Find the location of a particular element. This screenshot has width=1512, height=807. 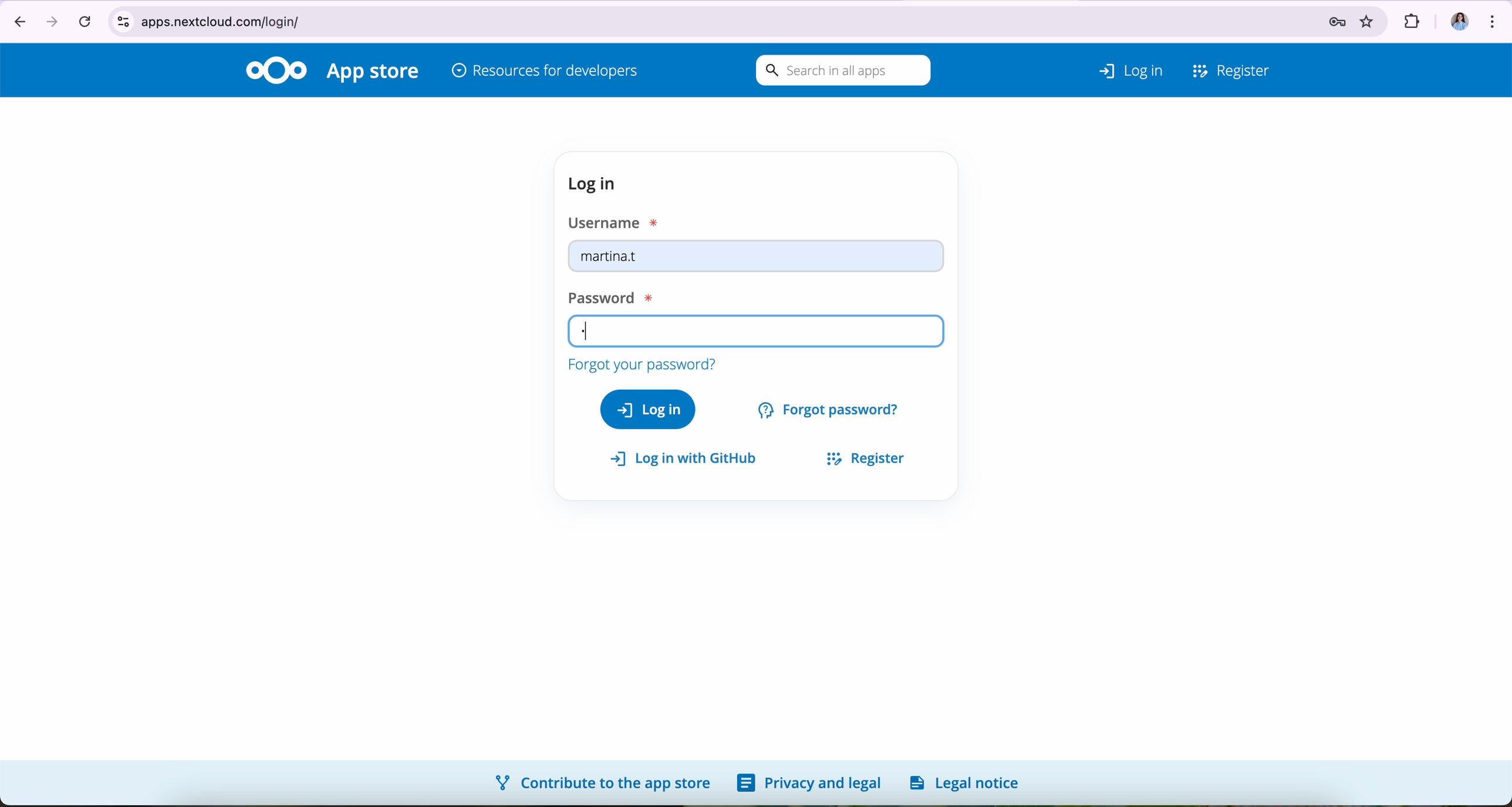

favorites is located at coordinates (1370, 18).